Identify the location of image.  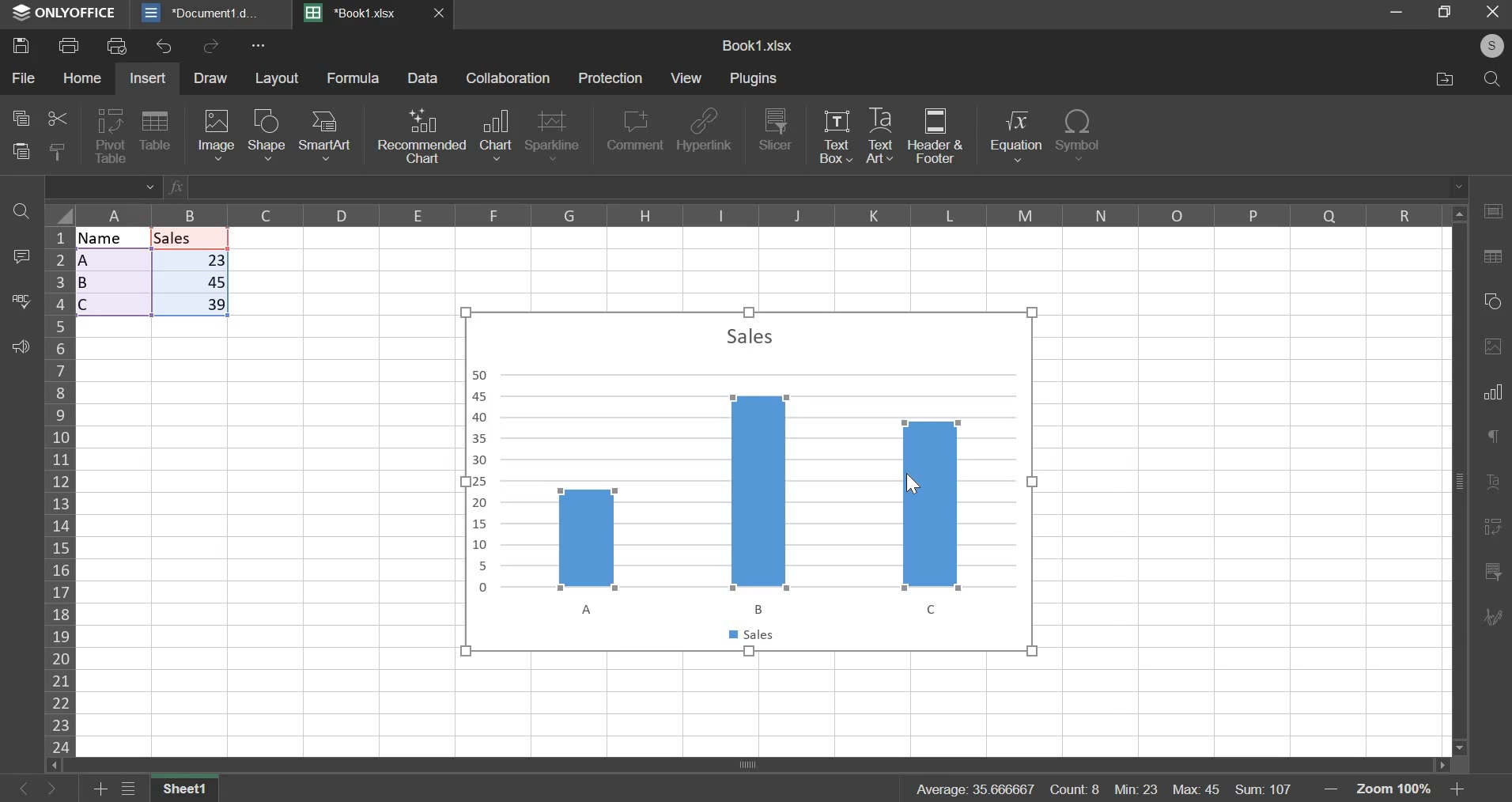
(217, 134).